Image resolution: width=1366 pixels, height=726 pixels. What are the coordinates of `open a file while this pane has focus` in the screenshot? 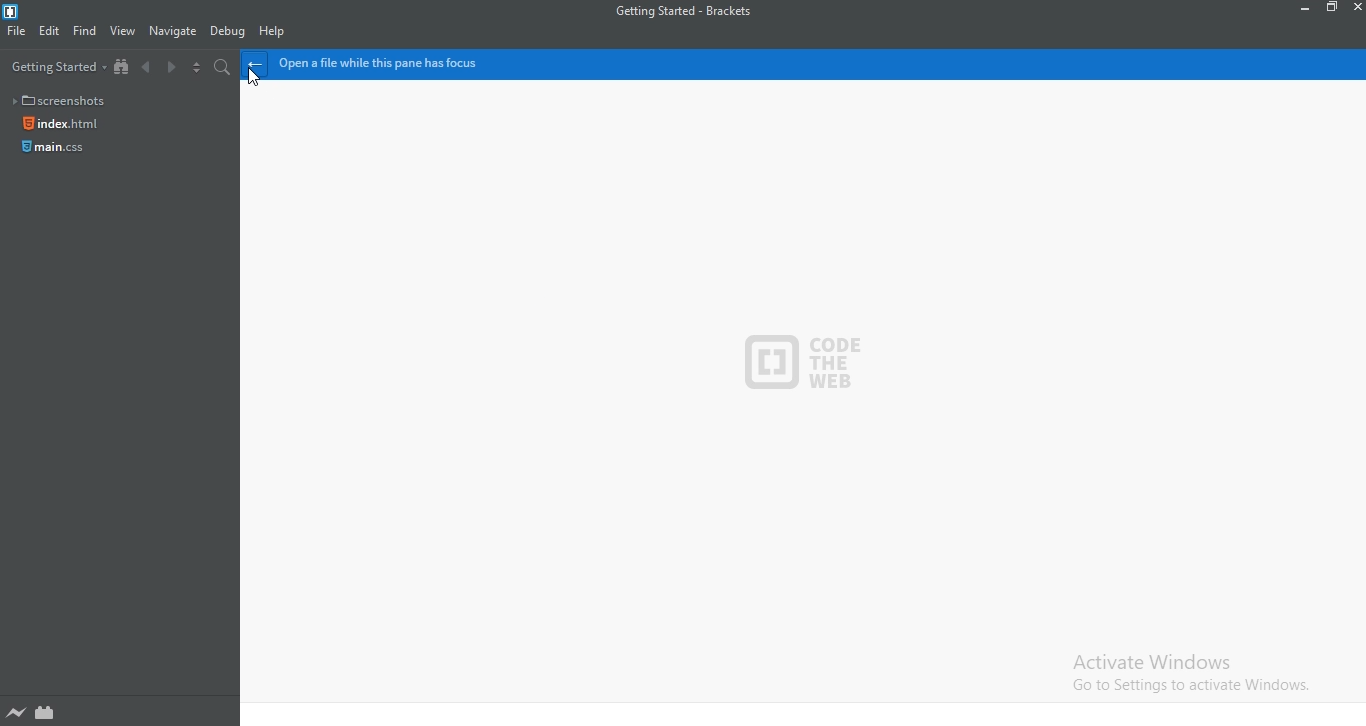 It's located at (821, 66).